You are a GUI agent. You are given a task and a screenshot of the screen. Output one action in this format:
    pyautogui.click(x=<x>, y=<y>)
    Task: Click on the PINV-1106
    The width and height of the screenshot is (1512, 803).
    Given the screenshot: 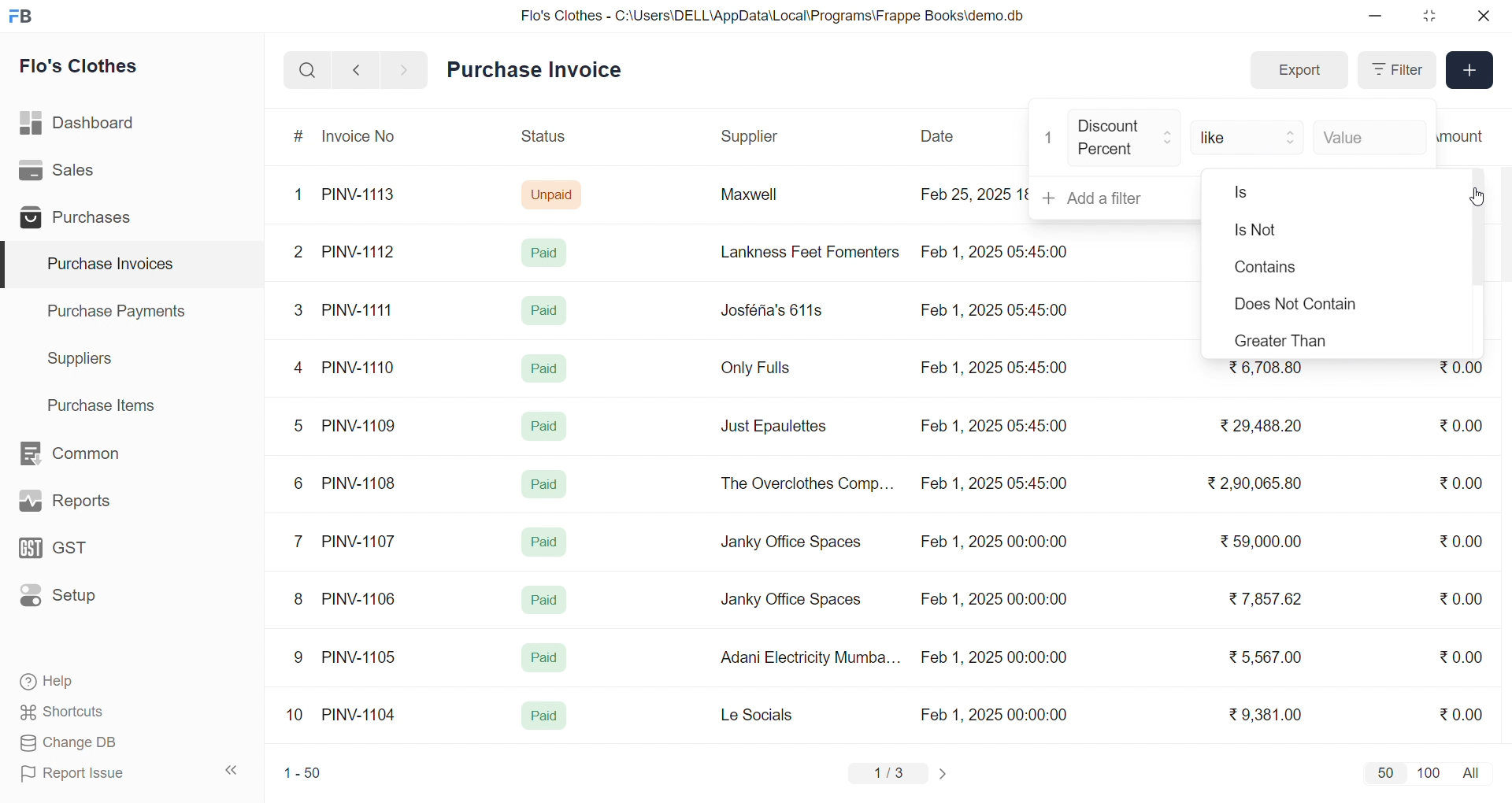 What is the action you would take?
    pyautogui.click(x=365, y=599)
    